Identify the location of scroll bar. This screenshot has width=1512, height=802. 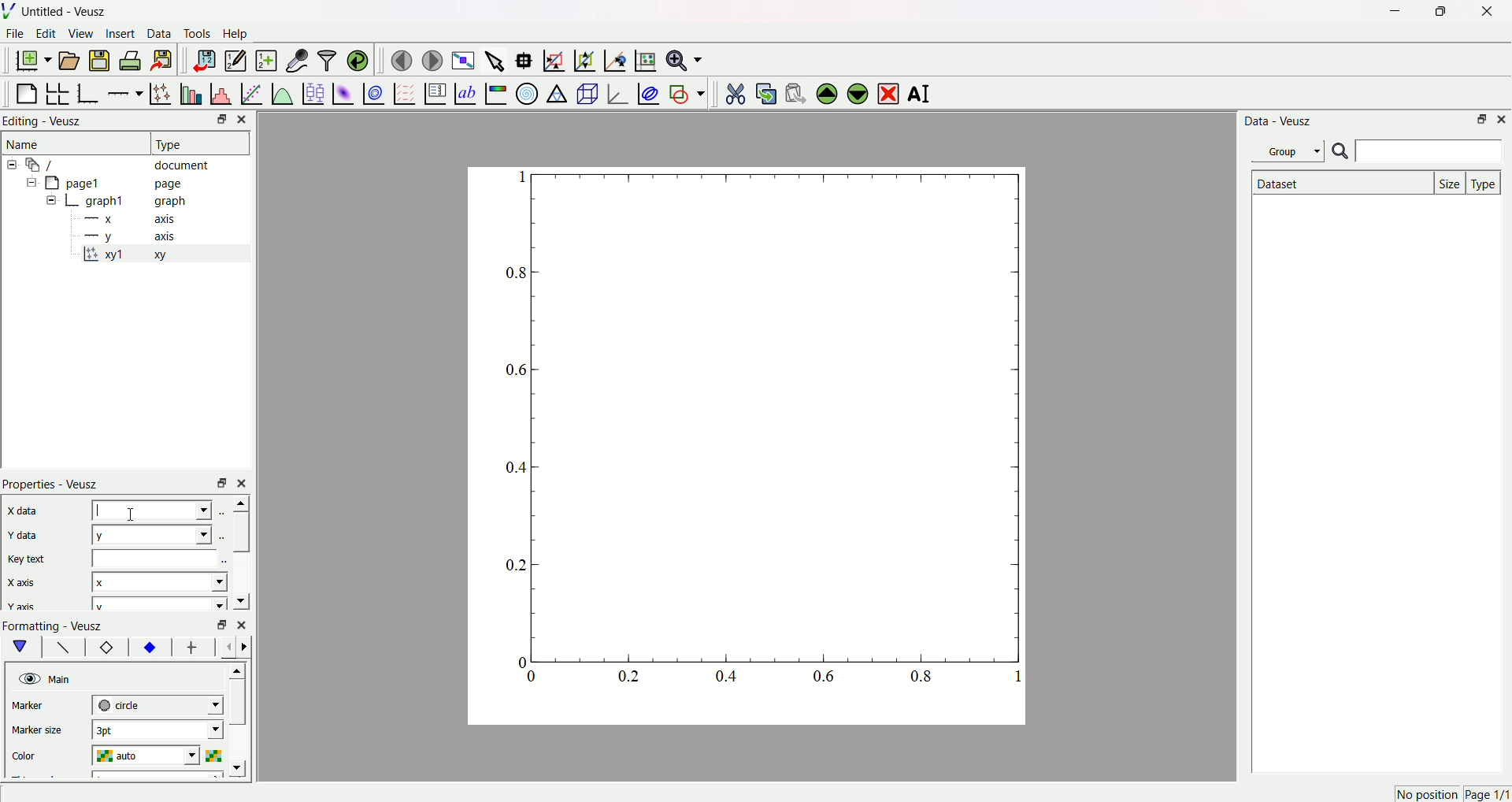
(239, 707).